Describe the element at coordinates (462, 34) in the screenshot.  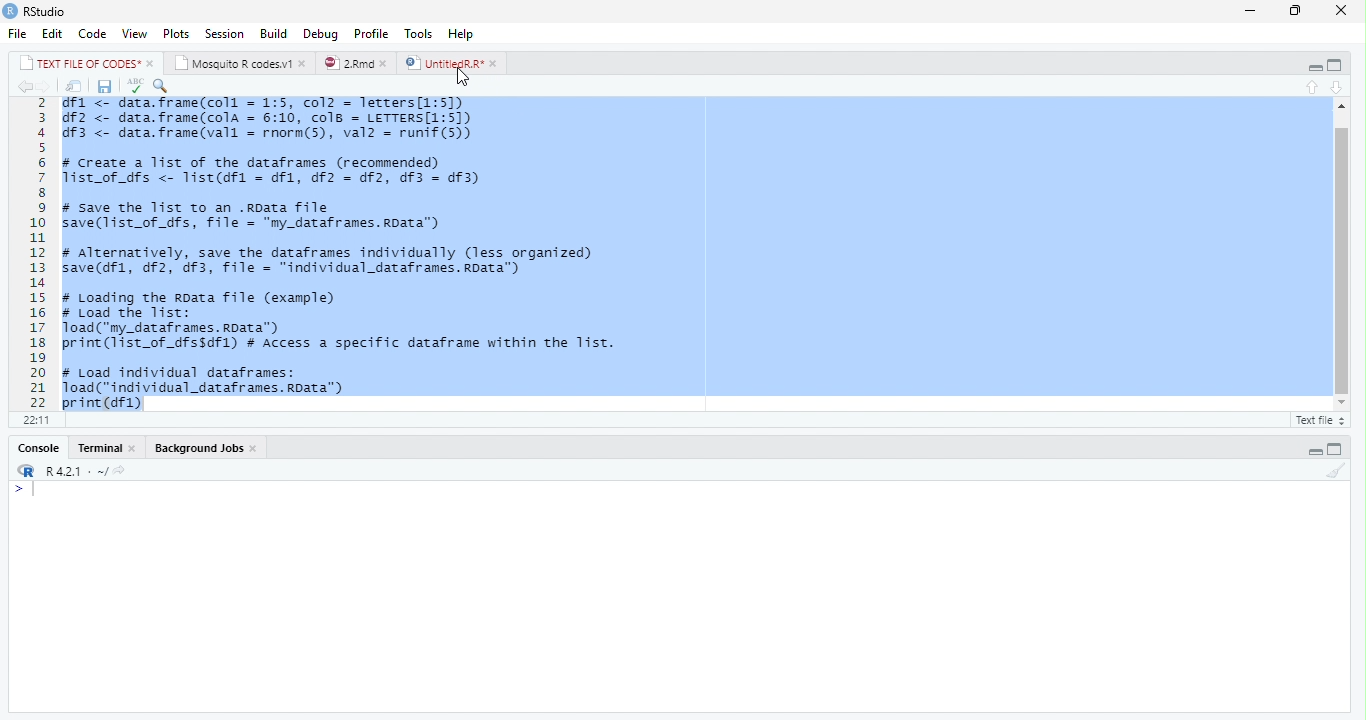
I see `Help` at that location.